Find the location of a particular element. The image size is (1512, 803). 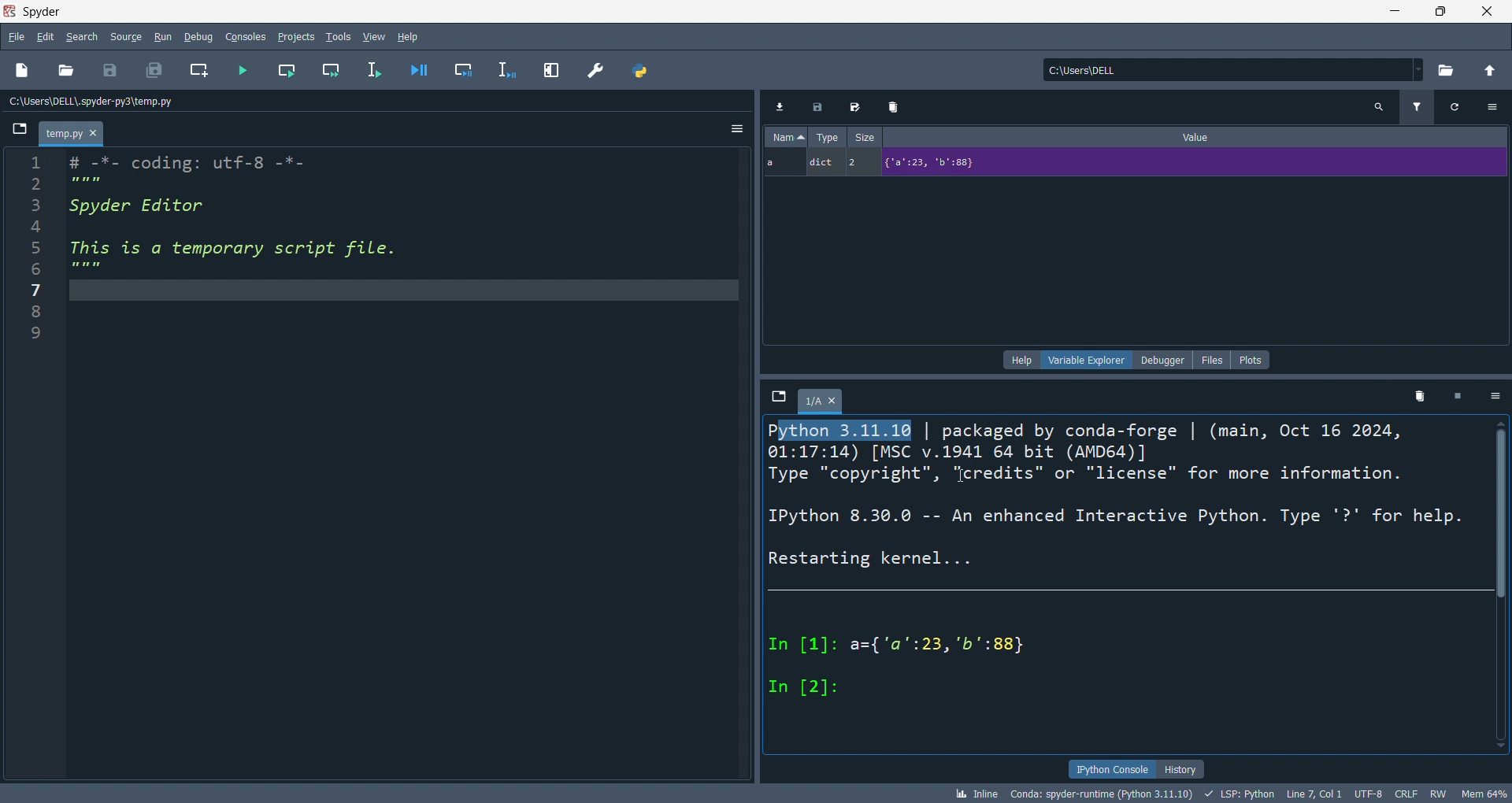

run file is located at coordinates (244, 68).